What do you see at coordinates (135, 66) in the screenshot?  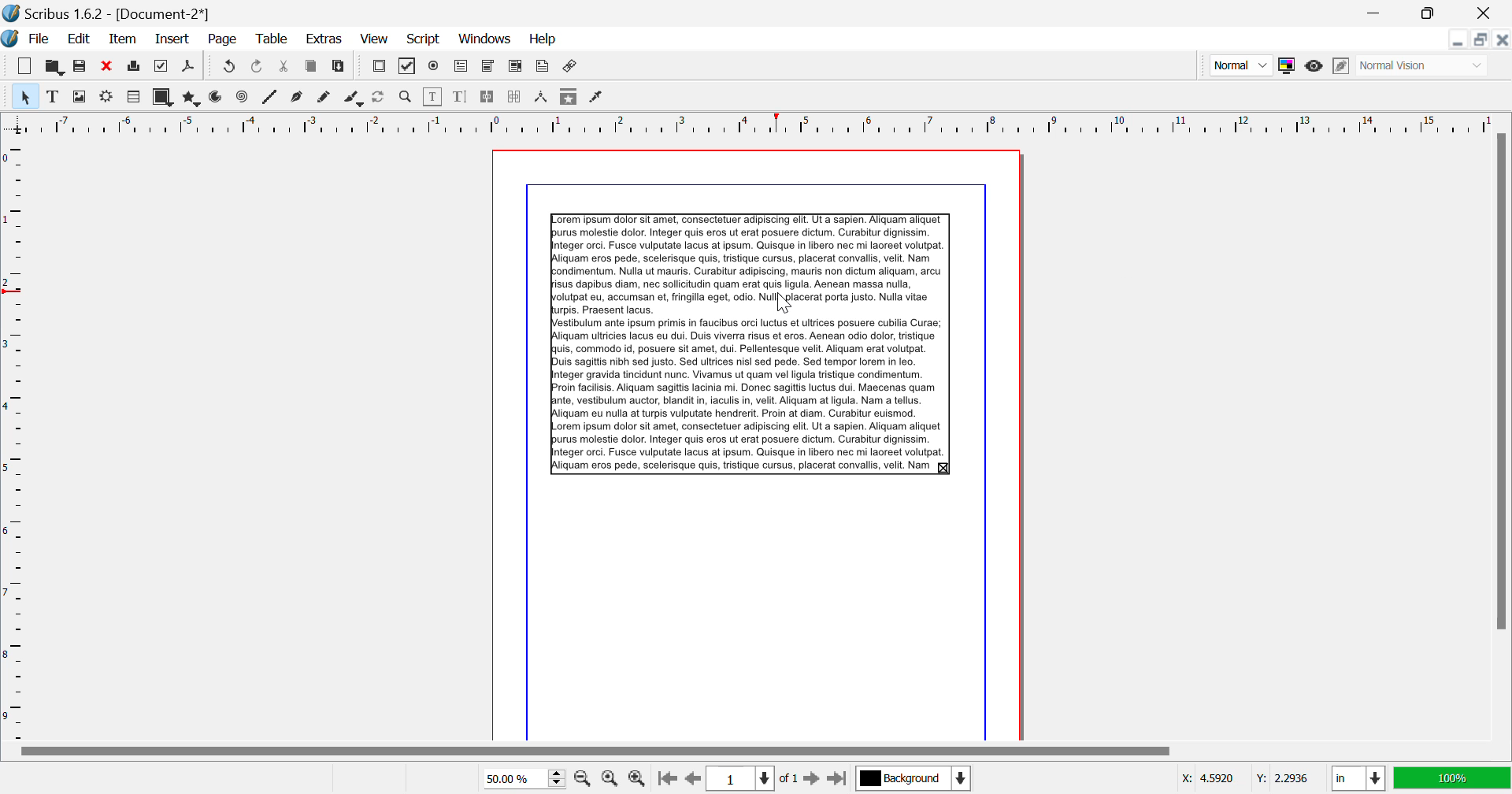 I see `Print` at bounding box center [135, 66].